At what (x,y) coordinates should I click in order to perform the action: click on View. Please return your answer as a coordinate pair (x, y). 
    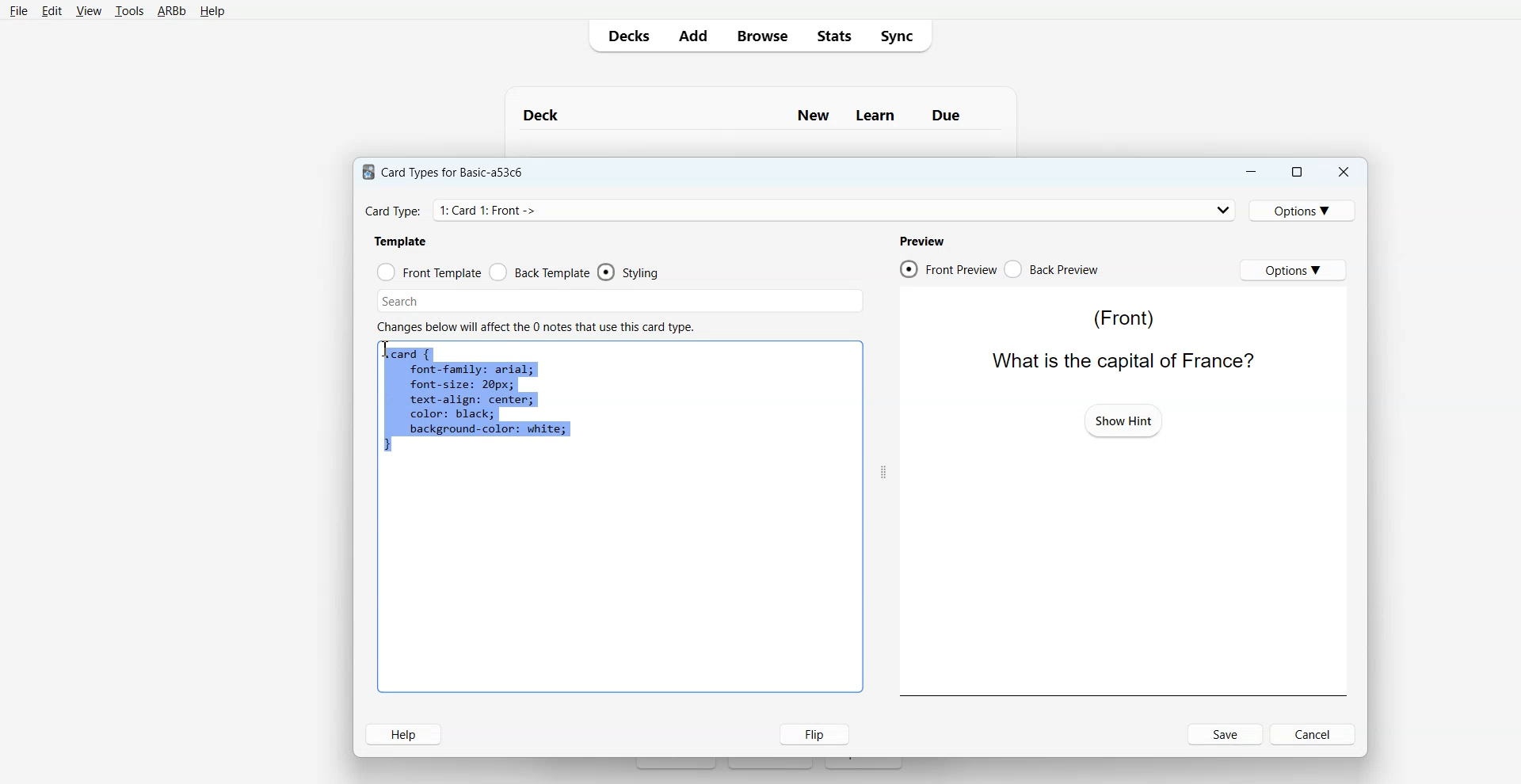
    Looking at the image, I should click on (89, 11).